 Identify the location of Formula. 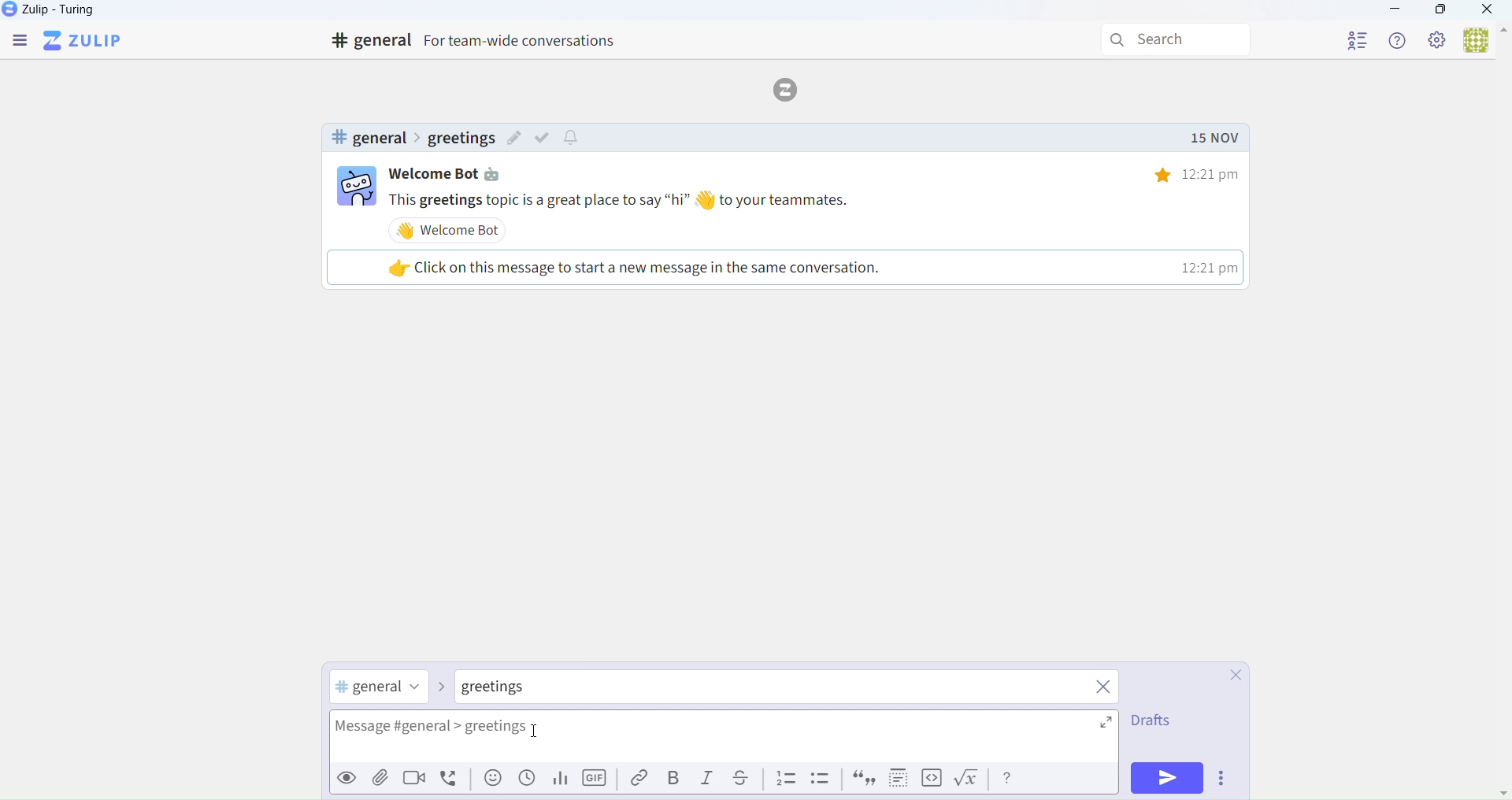
(970, 781).